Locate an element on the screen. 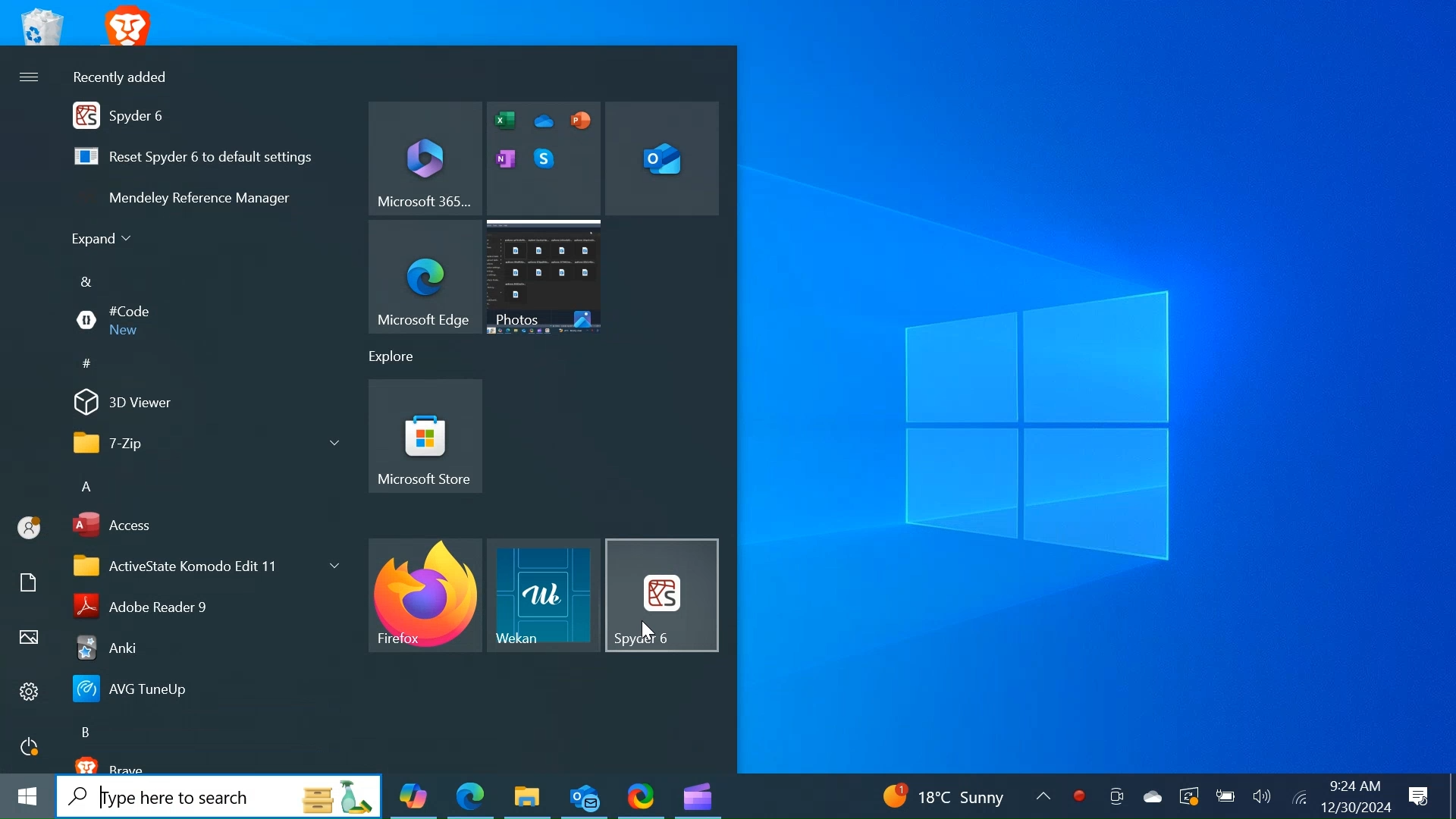  Windows is located at coordinates (26, 798).